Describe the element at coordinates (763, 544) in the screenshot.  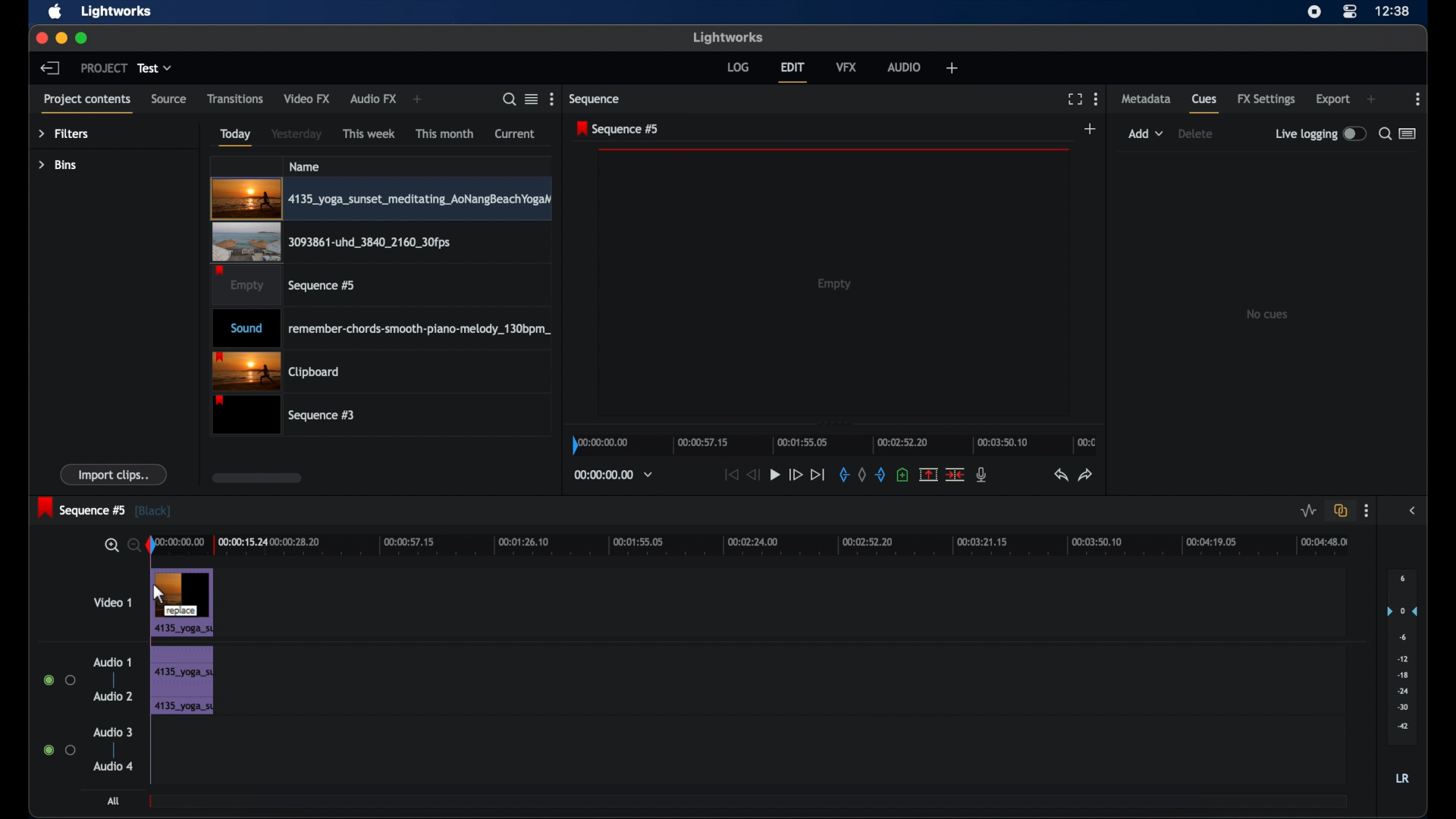
I see `timeline scale` at that location.